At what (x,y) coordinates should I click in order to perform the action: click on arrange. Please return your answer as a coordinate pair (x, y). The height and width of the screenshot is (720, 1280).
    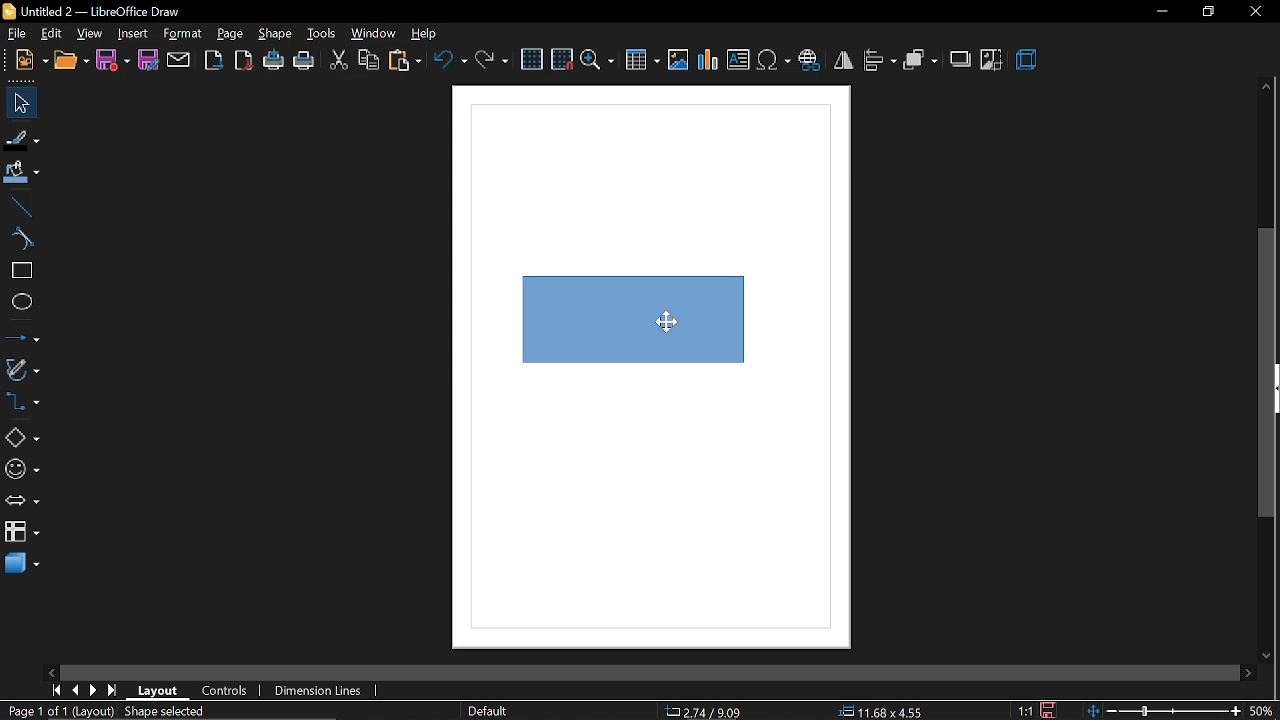
    Looking at the image, I should click on (920, 60).